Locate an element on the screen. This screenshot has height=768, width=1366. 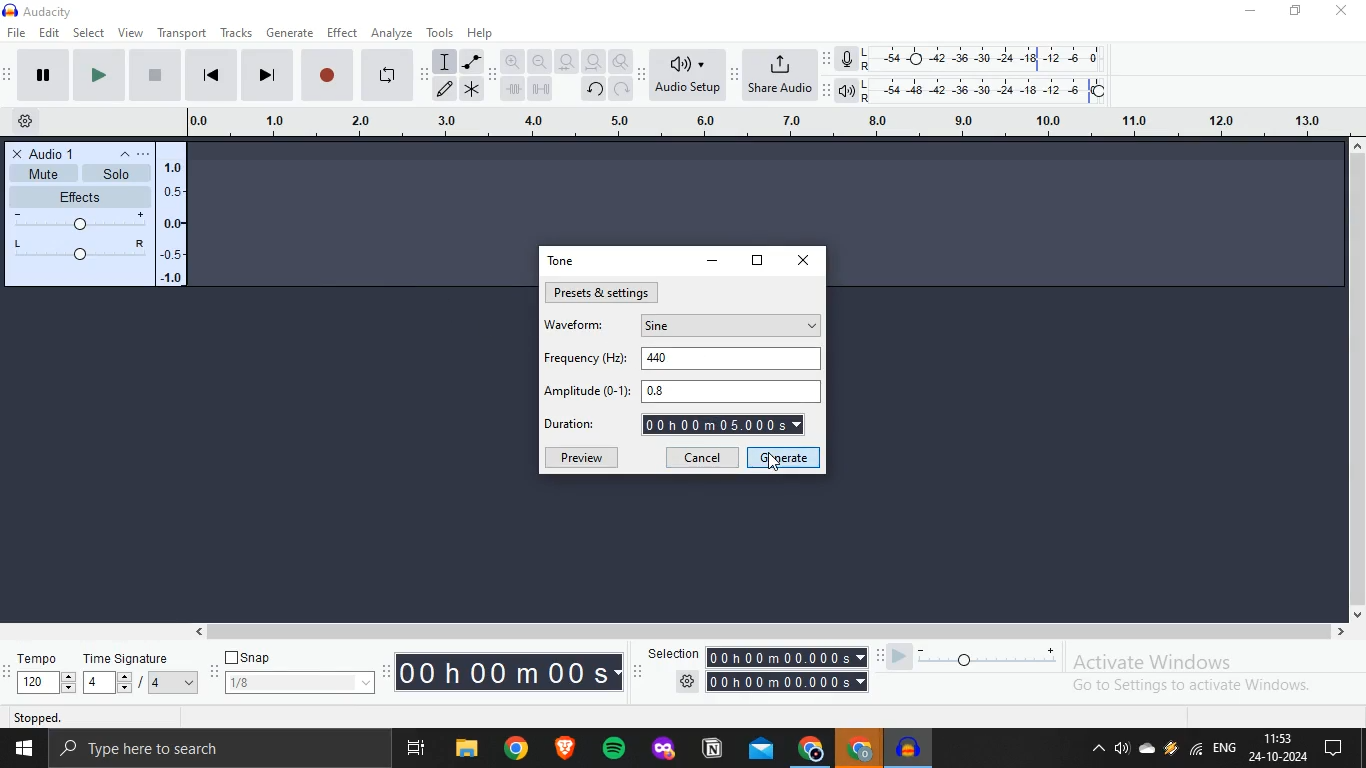
Selection is located at coordinates (755, 658).